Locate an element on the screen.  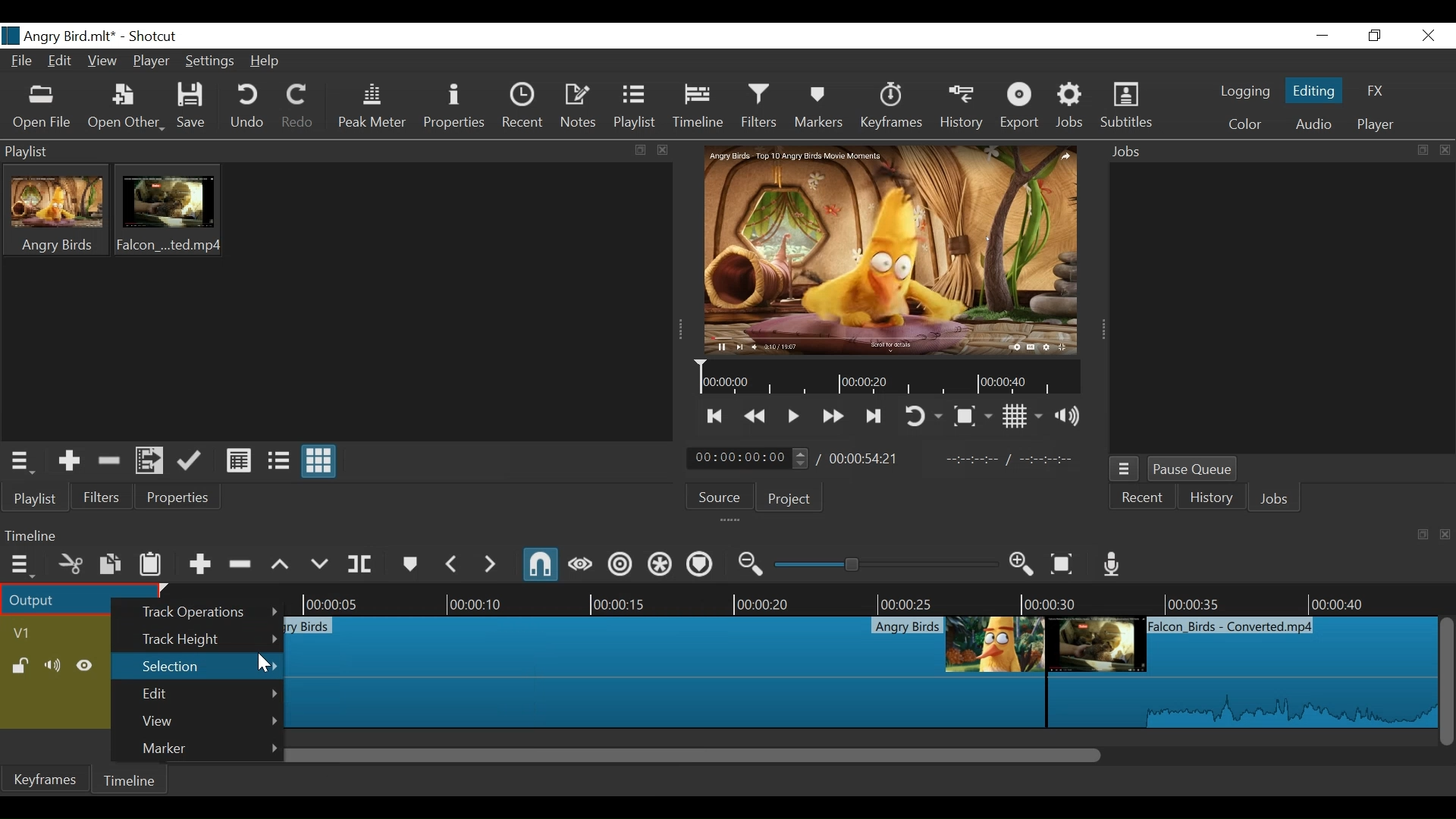
Subtitles is located at coordinates (1127, 108).